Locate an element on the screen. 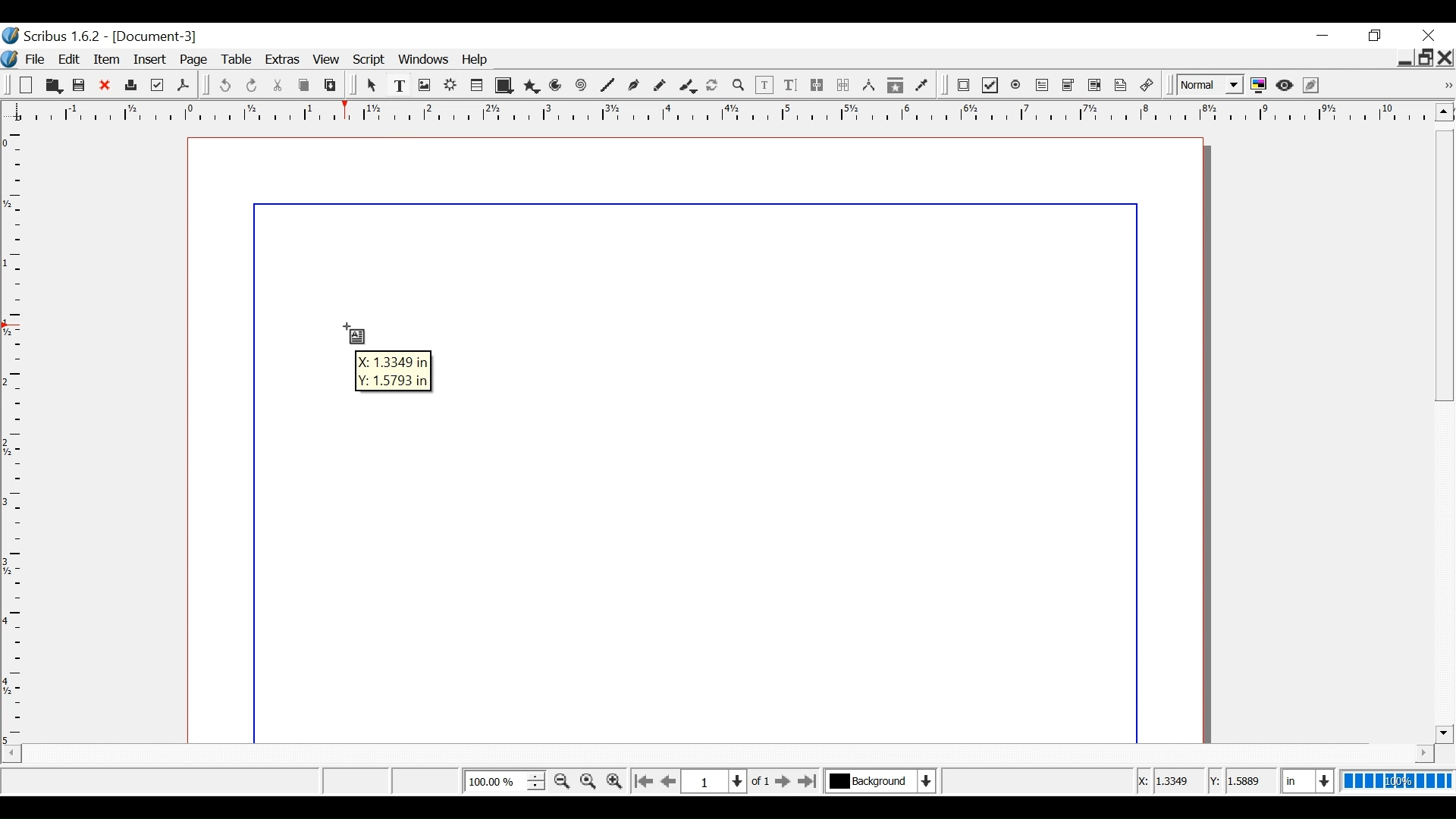  Script is located at coordinates (371, 60).